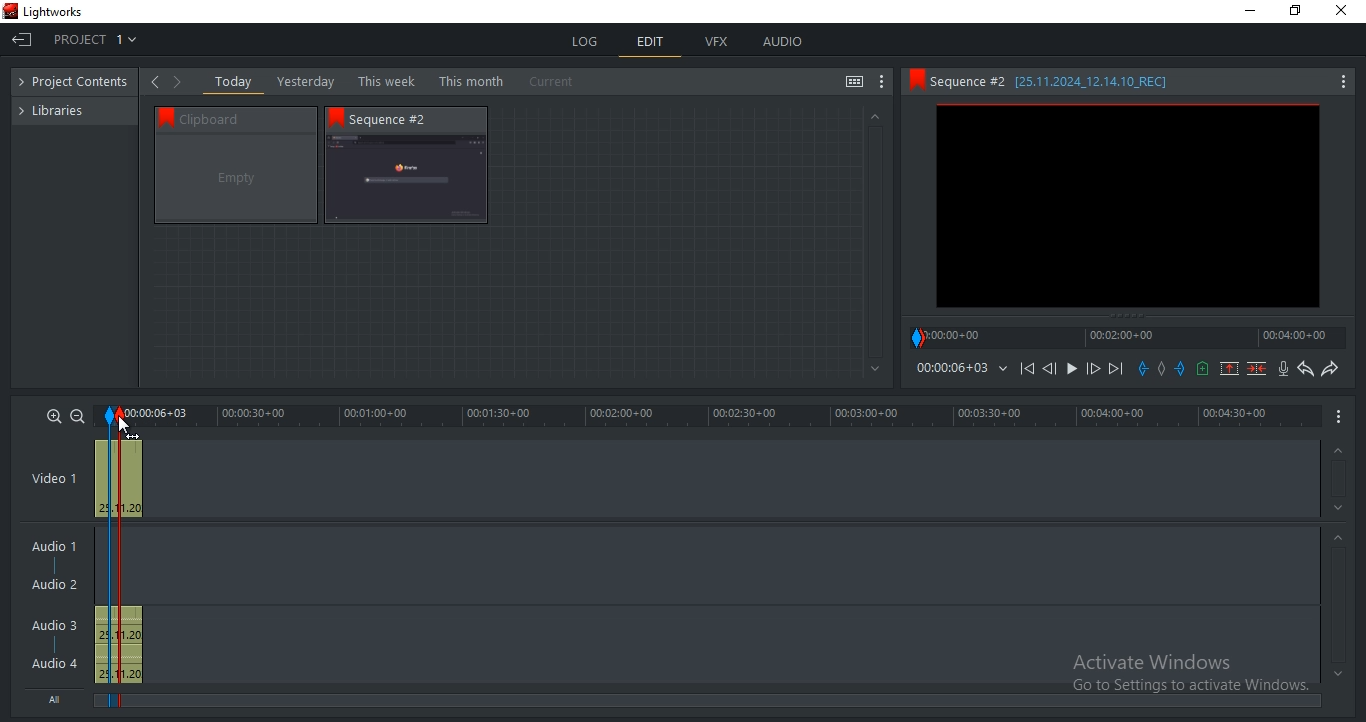 This screenshot has height=722, width=1366. Describe the element at coordinates (1342, 83) in the screenshot. I see `Show settings menu` at that location.